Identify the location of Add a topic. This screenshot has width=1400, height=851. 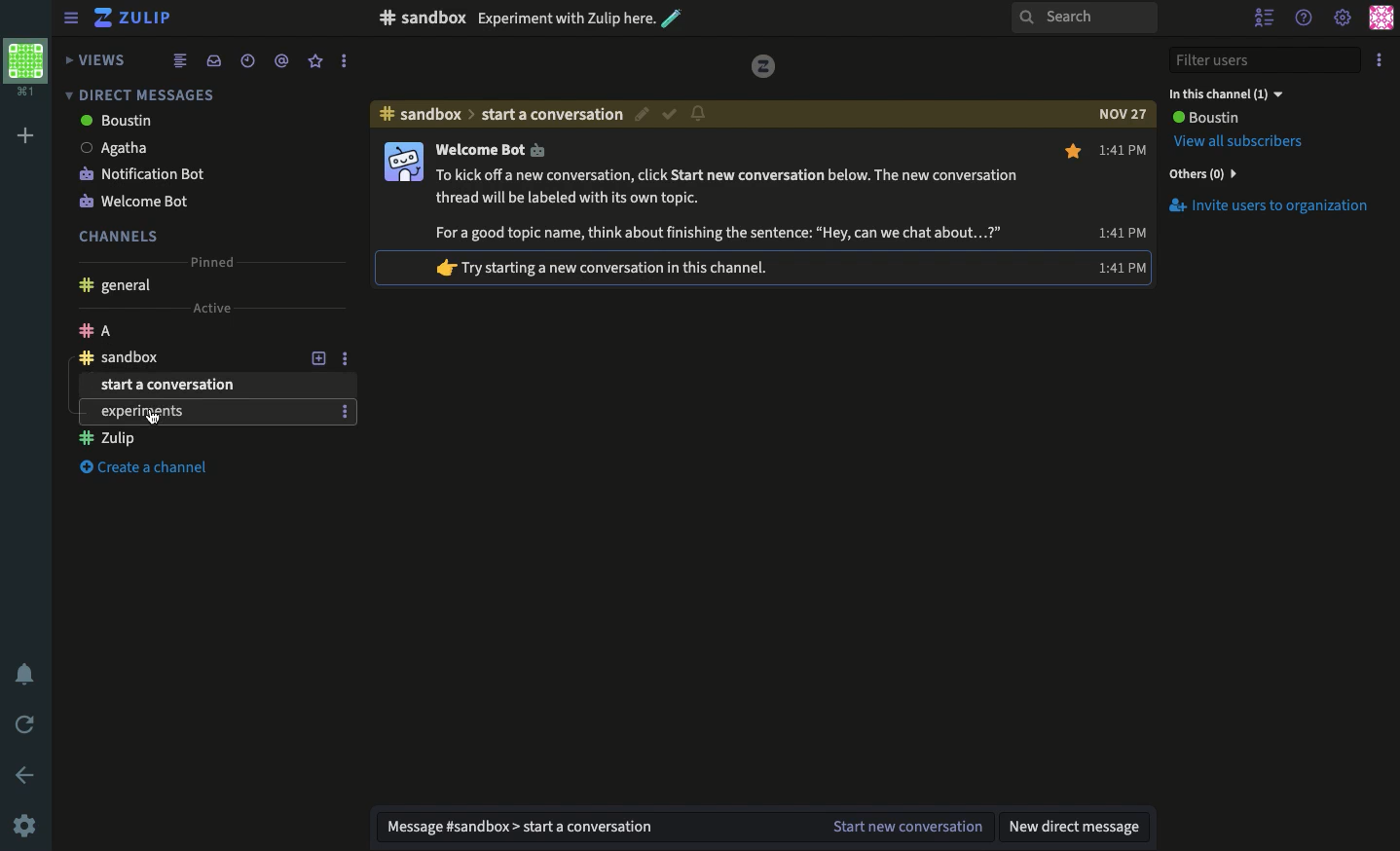
(318, 332).